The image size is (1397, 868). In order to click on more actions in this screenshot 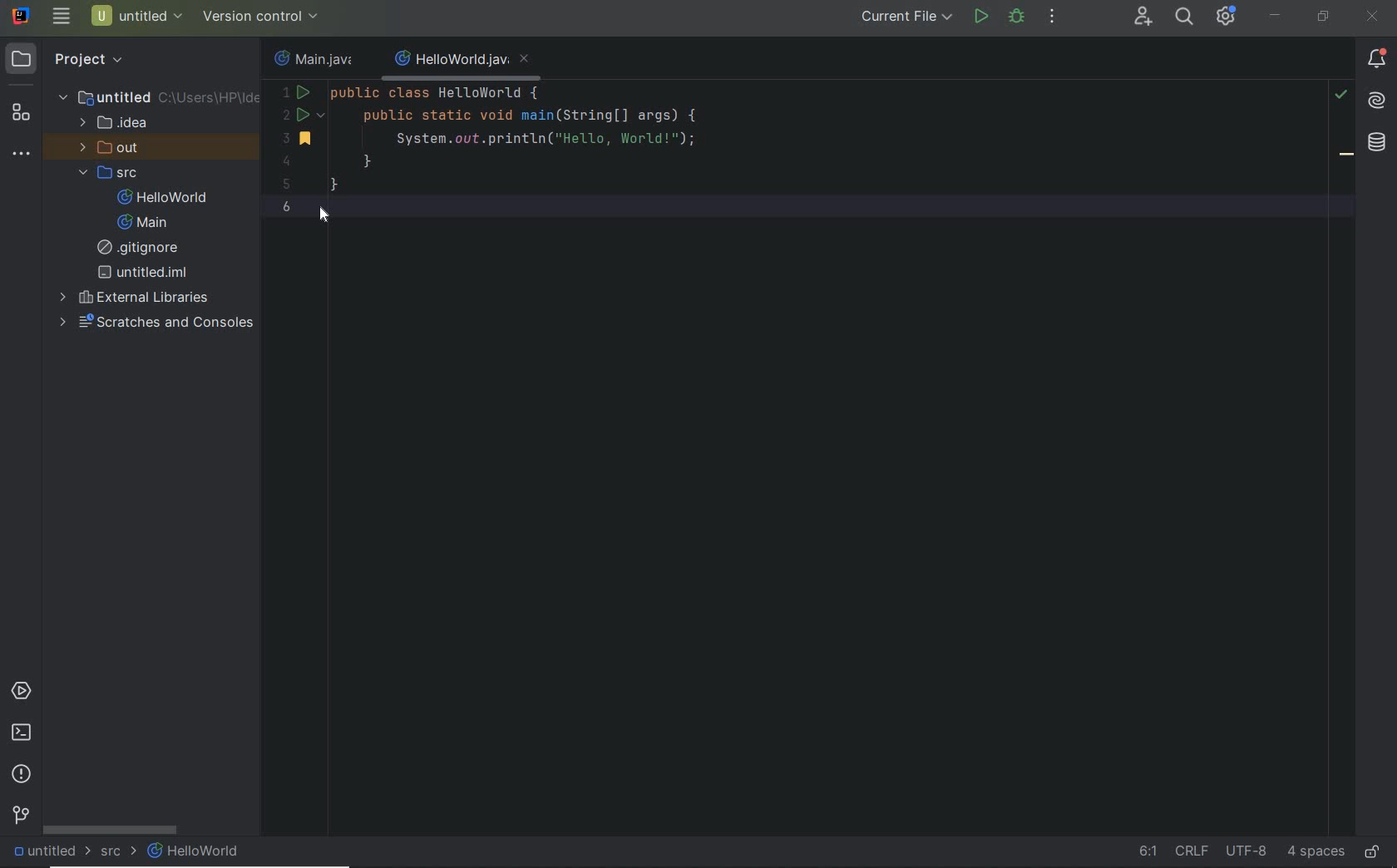, I will do `click(1054, 17)`.